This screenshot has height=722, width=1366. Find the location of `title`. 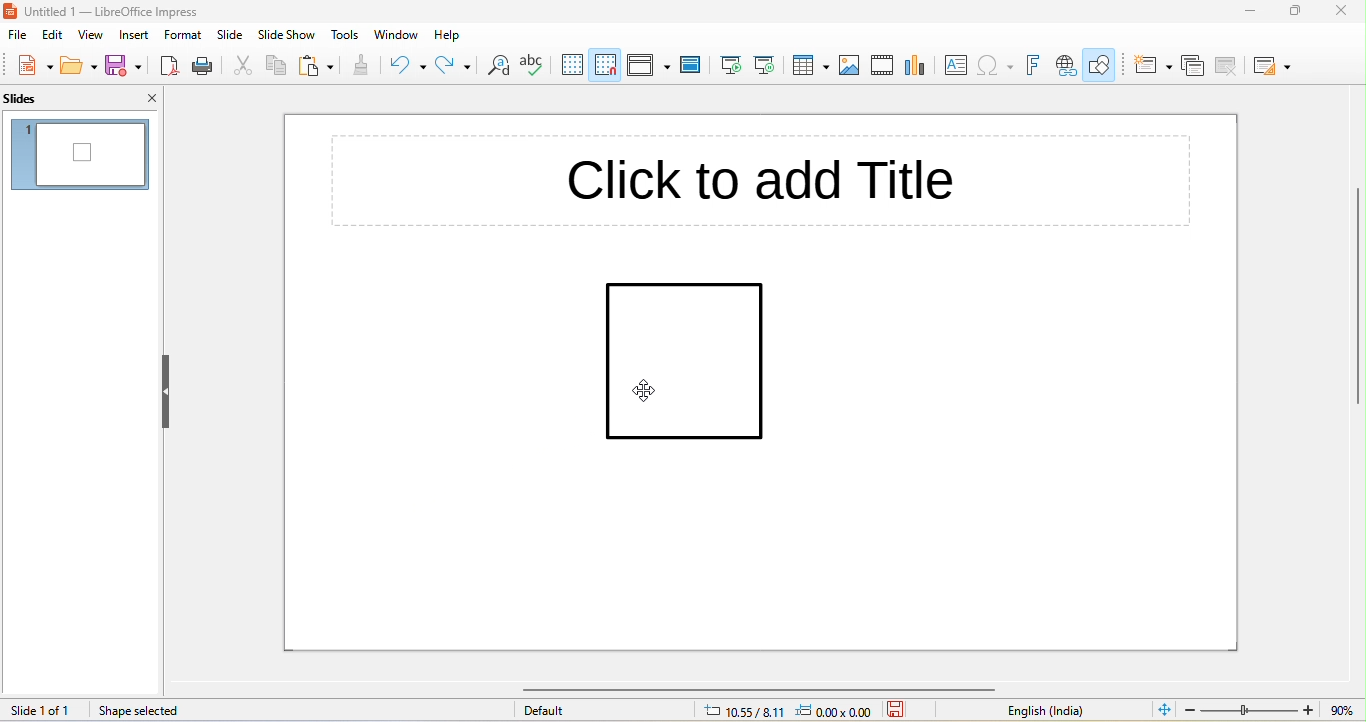

title is located at coordinates (114, 11).